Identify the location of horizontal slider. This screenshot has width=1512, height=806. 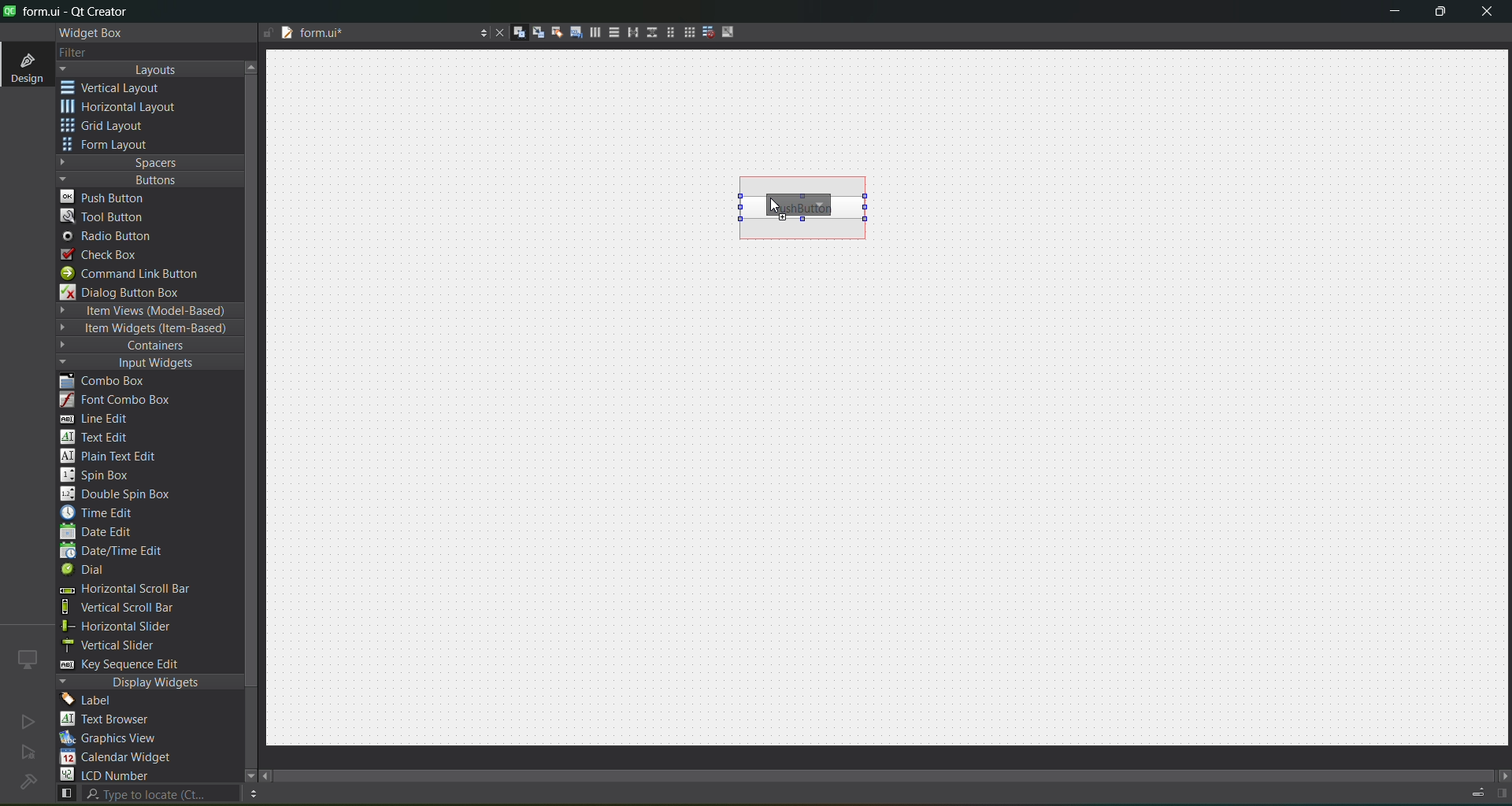
(134, 627).